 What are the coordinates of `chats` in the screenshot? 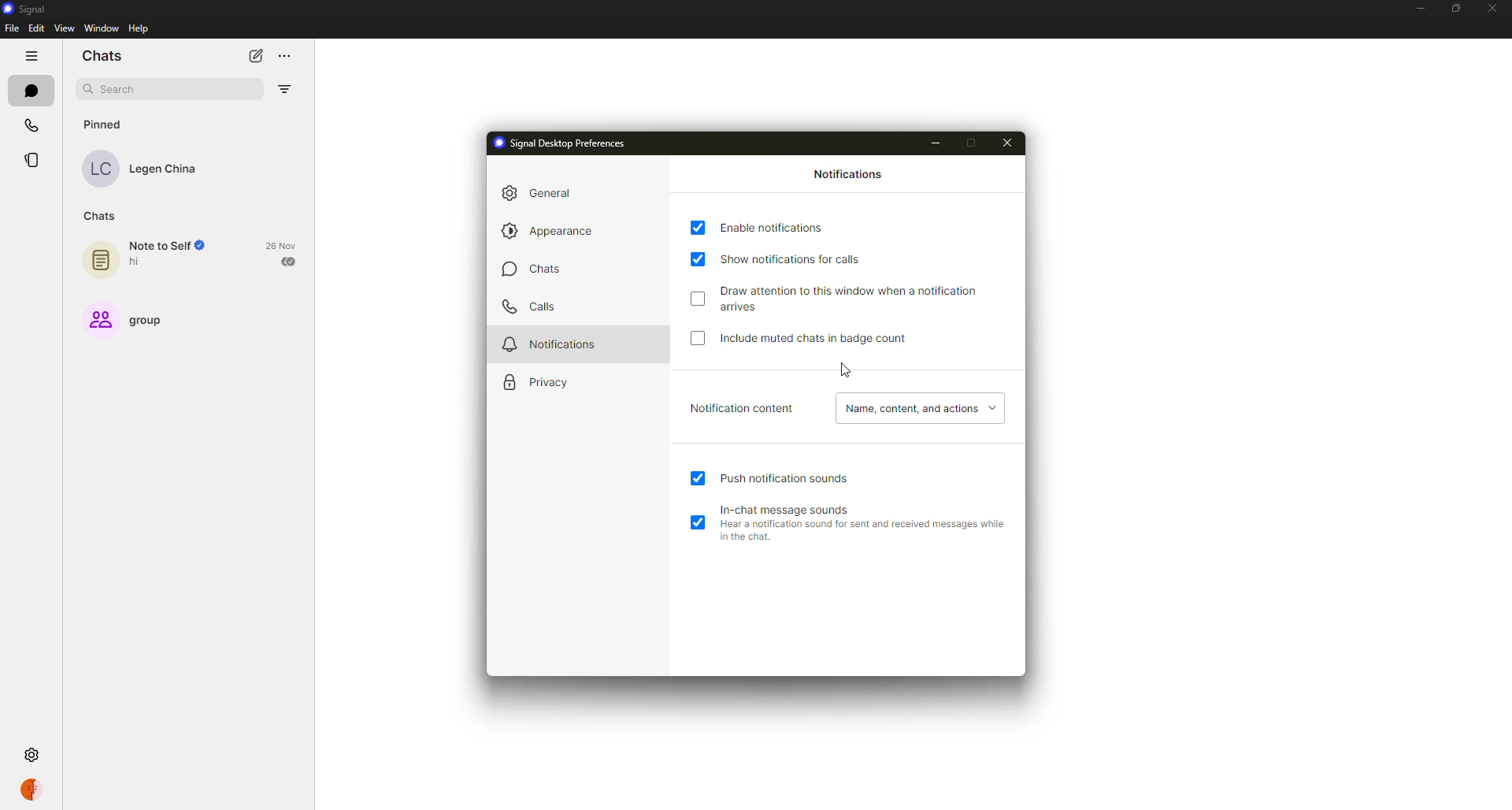 It's located at (102, 215).